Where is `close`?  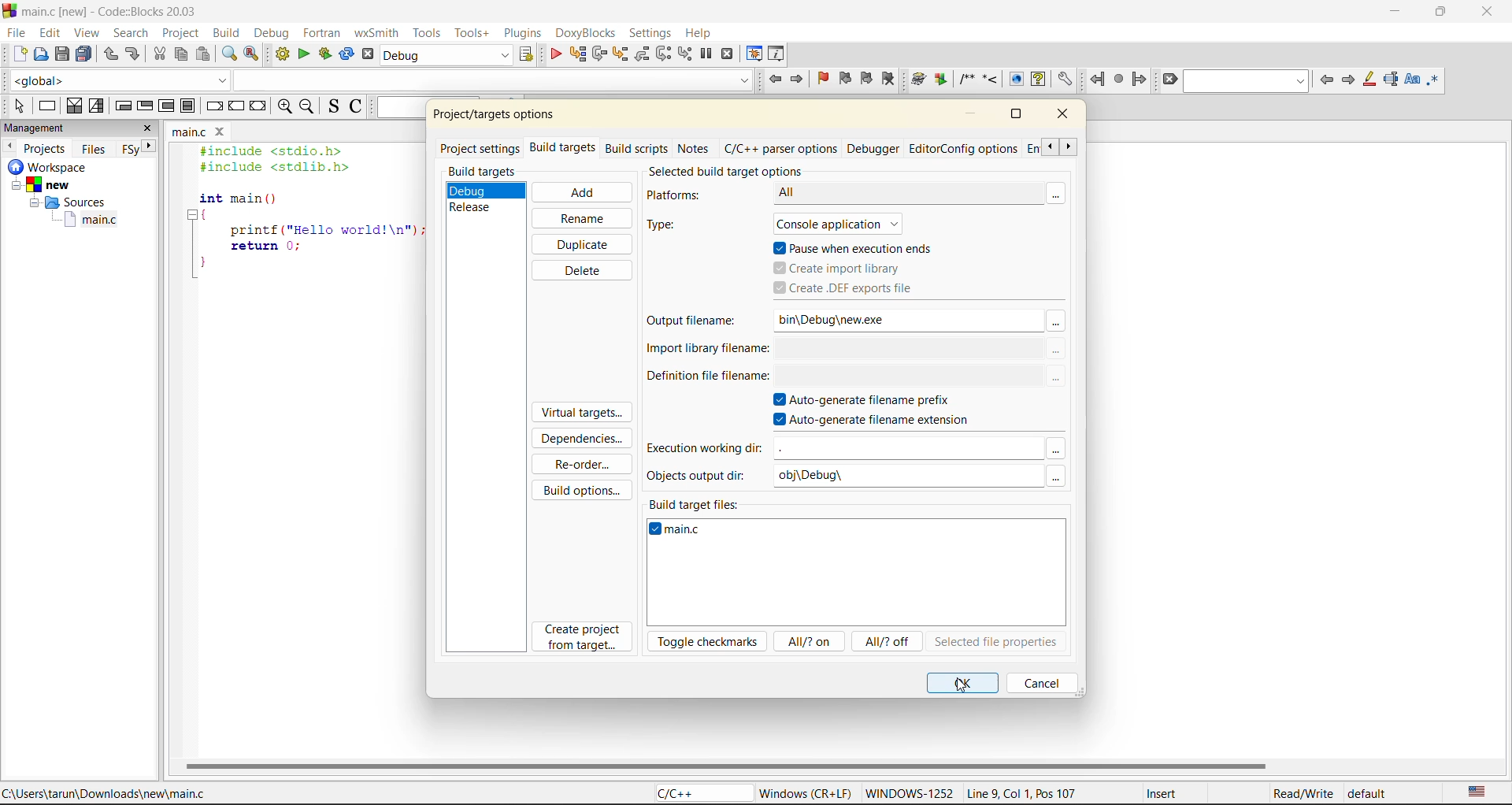 close is located at coordinates (1066, 117).